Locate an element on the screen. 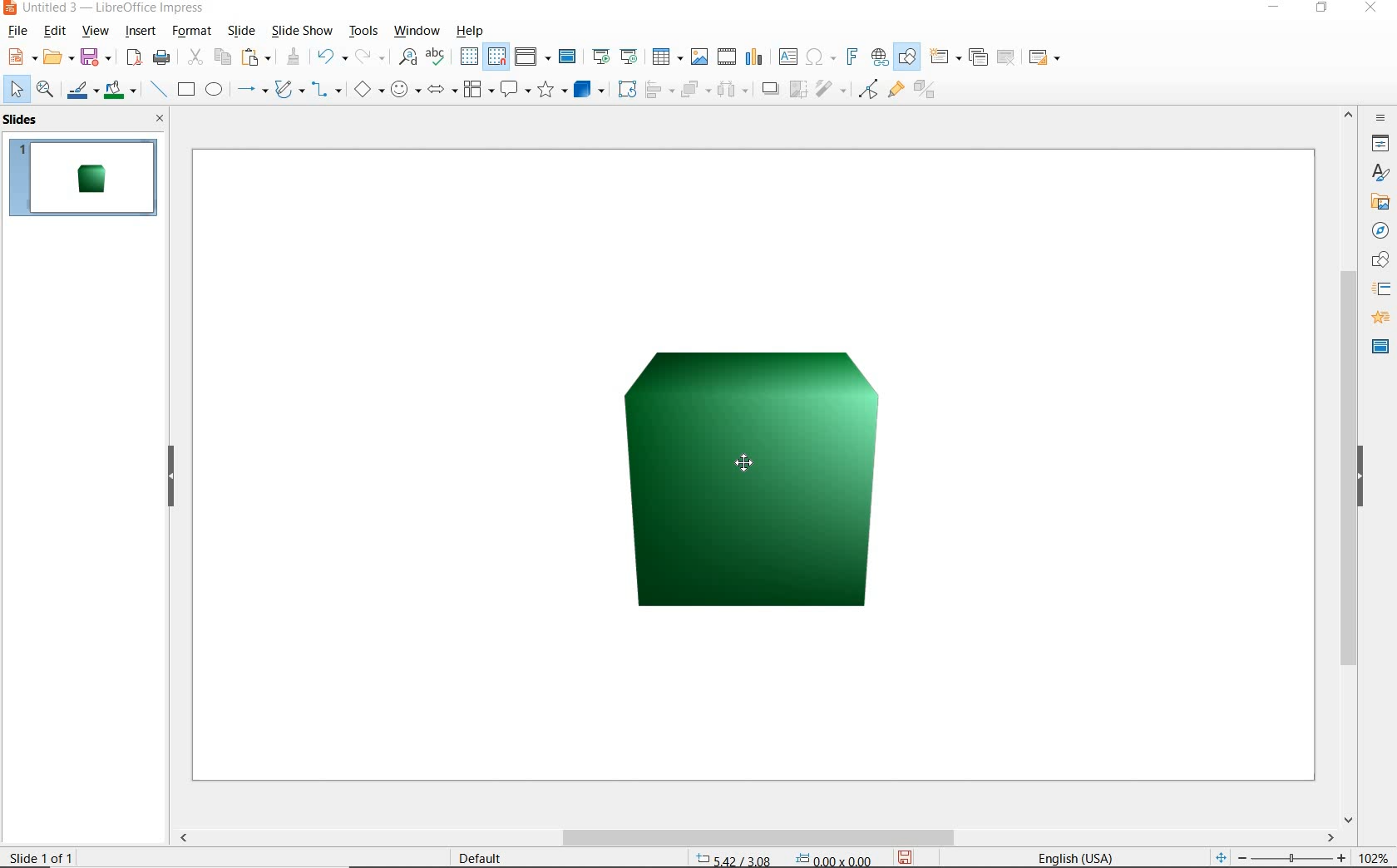 The image size is (1397, 868). TOGGLE POINT EDIT MODE is located at coordinates (867, 89).